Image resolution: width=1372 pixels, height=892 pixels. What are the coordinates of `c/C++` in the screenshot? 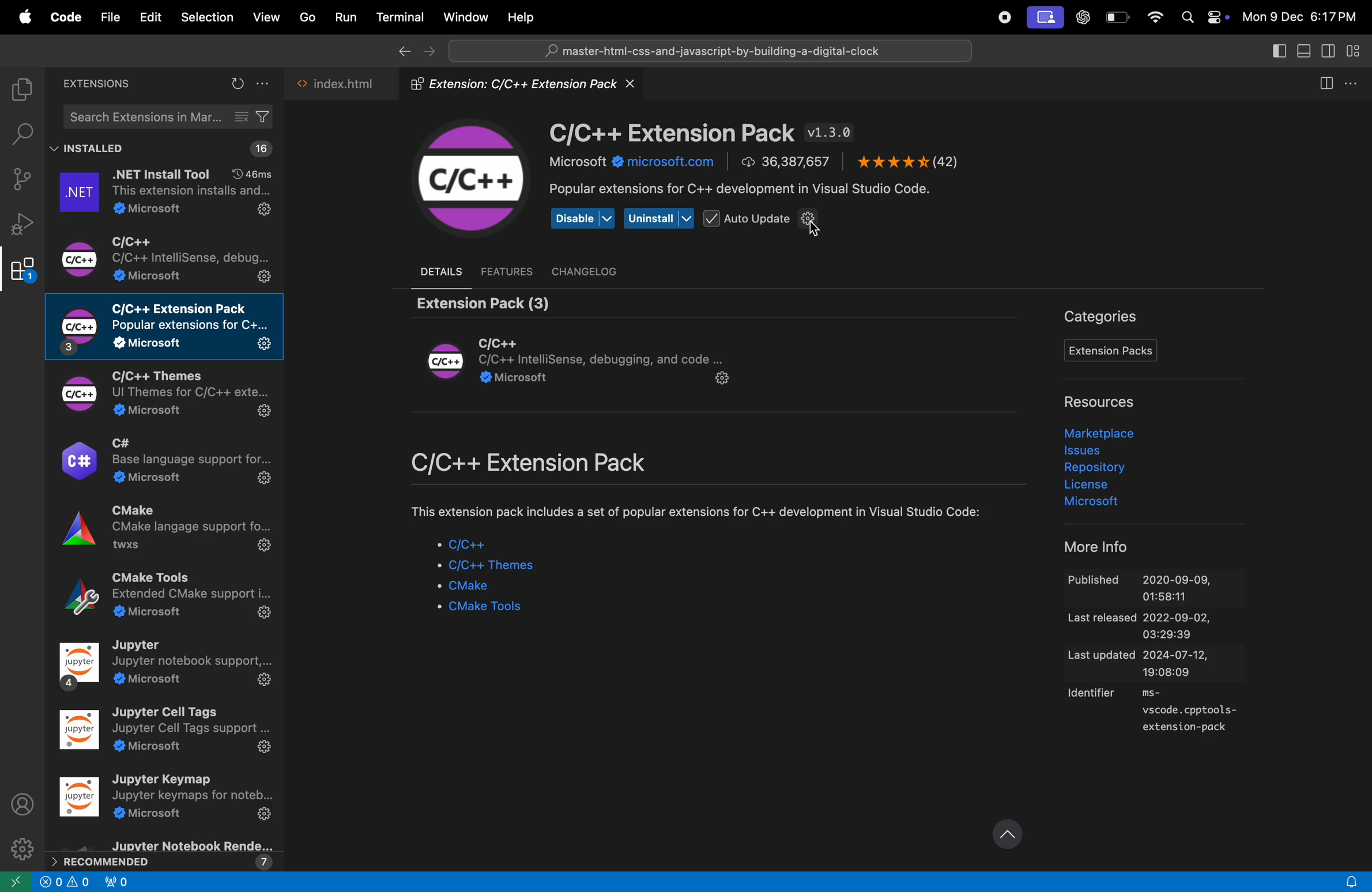 It's located at (469, 547).